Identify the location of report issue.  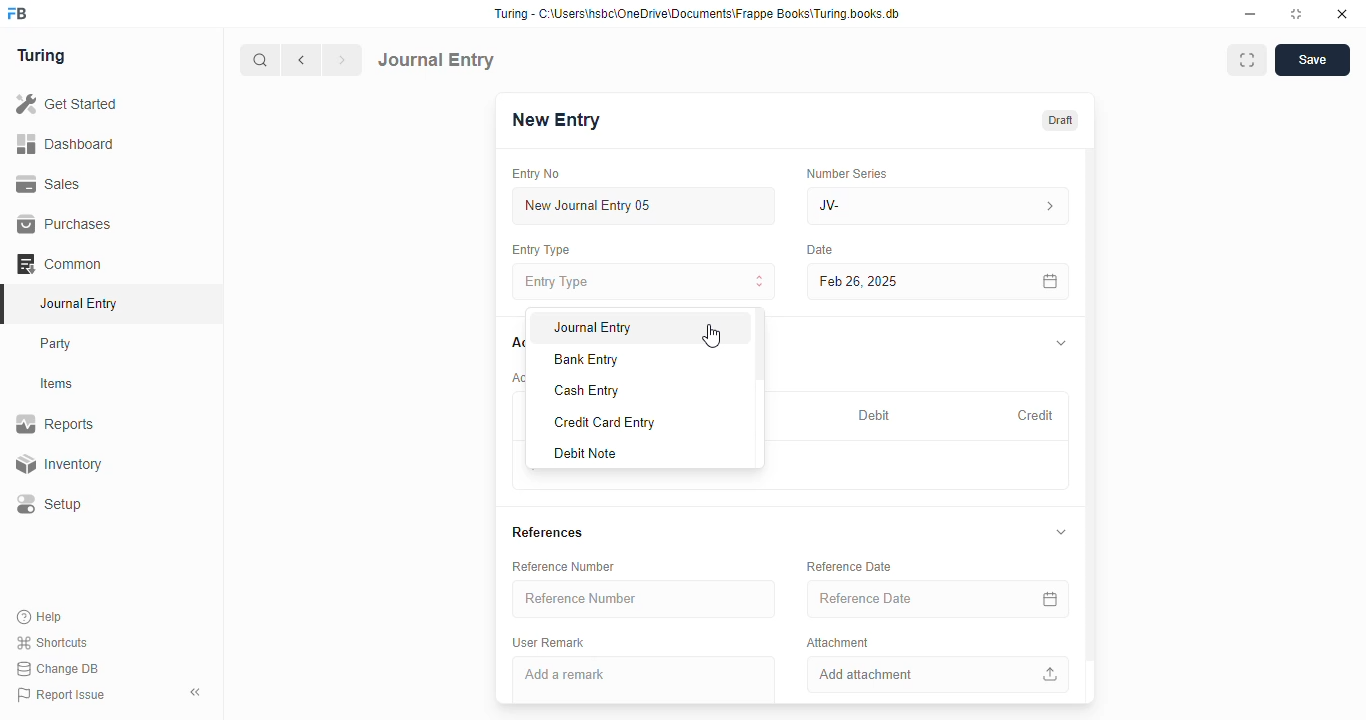
(61, 695).